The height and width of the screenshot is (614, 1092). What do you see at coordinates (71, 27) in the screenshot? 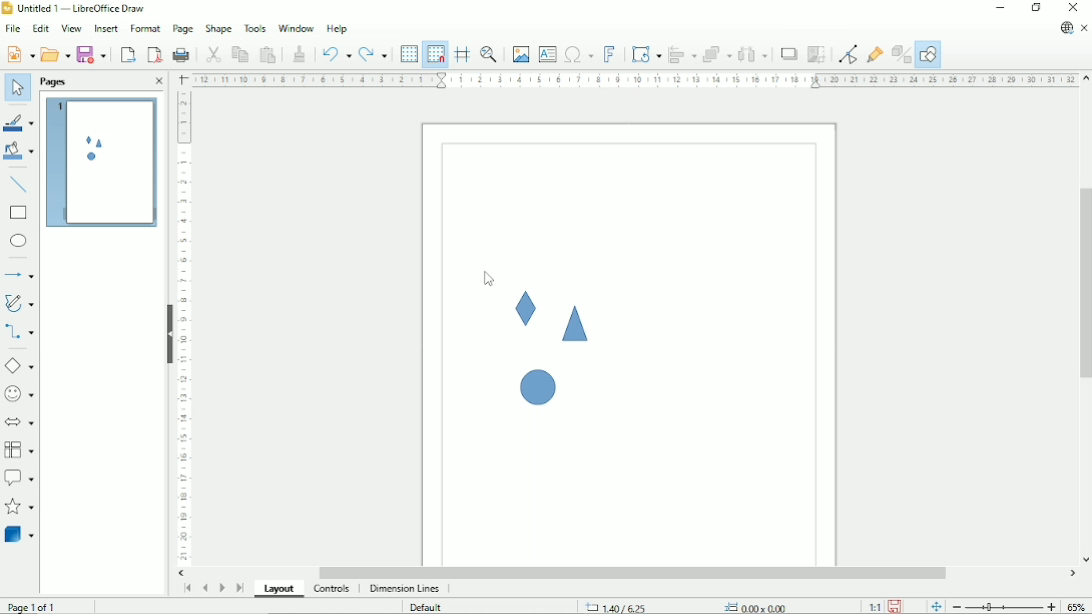
I see `View` at bounding box center [71, 27].